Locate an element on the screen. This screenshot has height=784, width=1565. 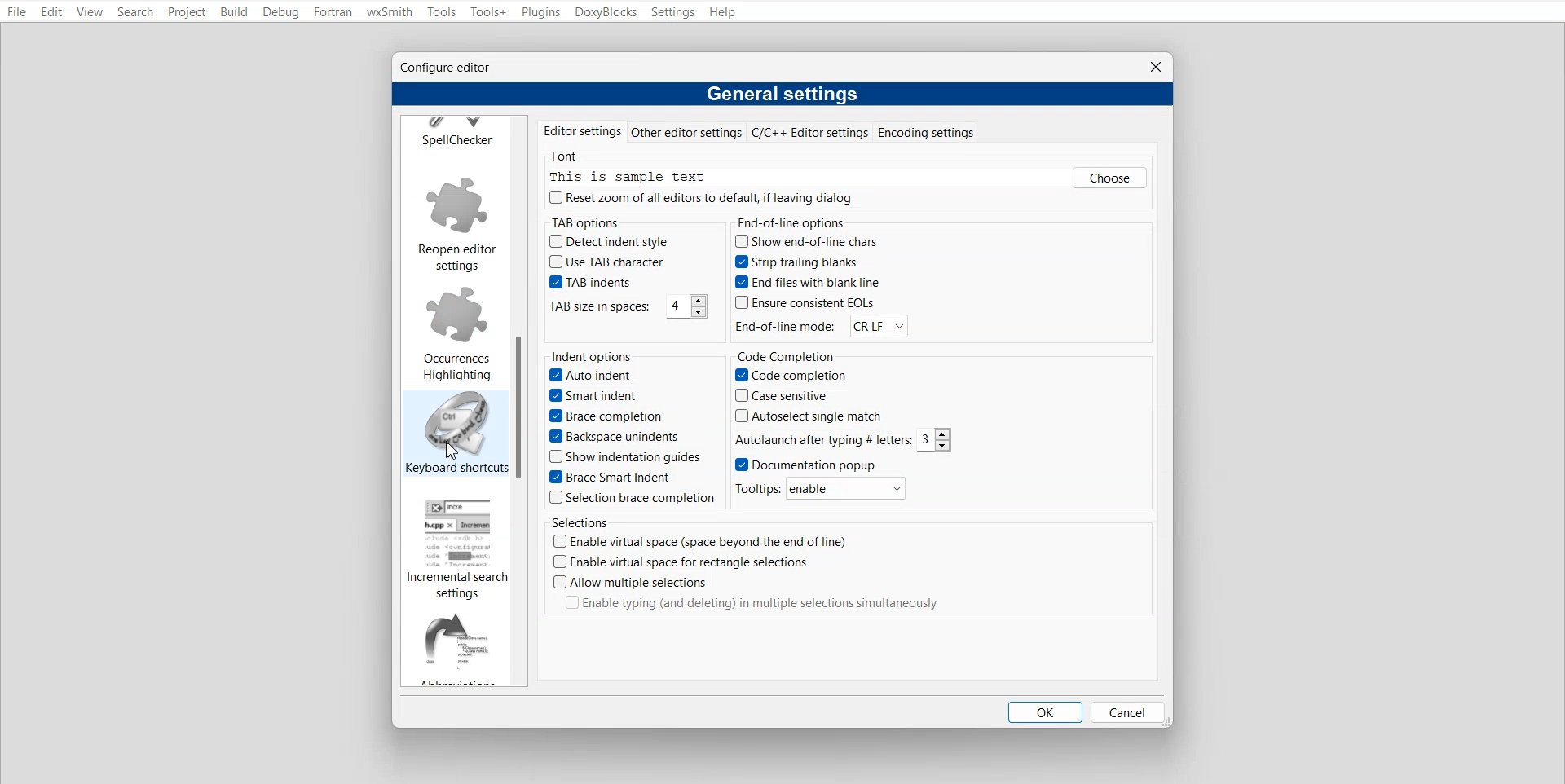
Vertical scroll bar is located at coordinates (525, 403).